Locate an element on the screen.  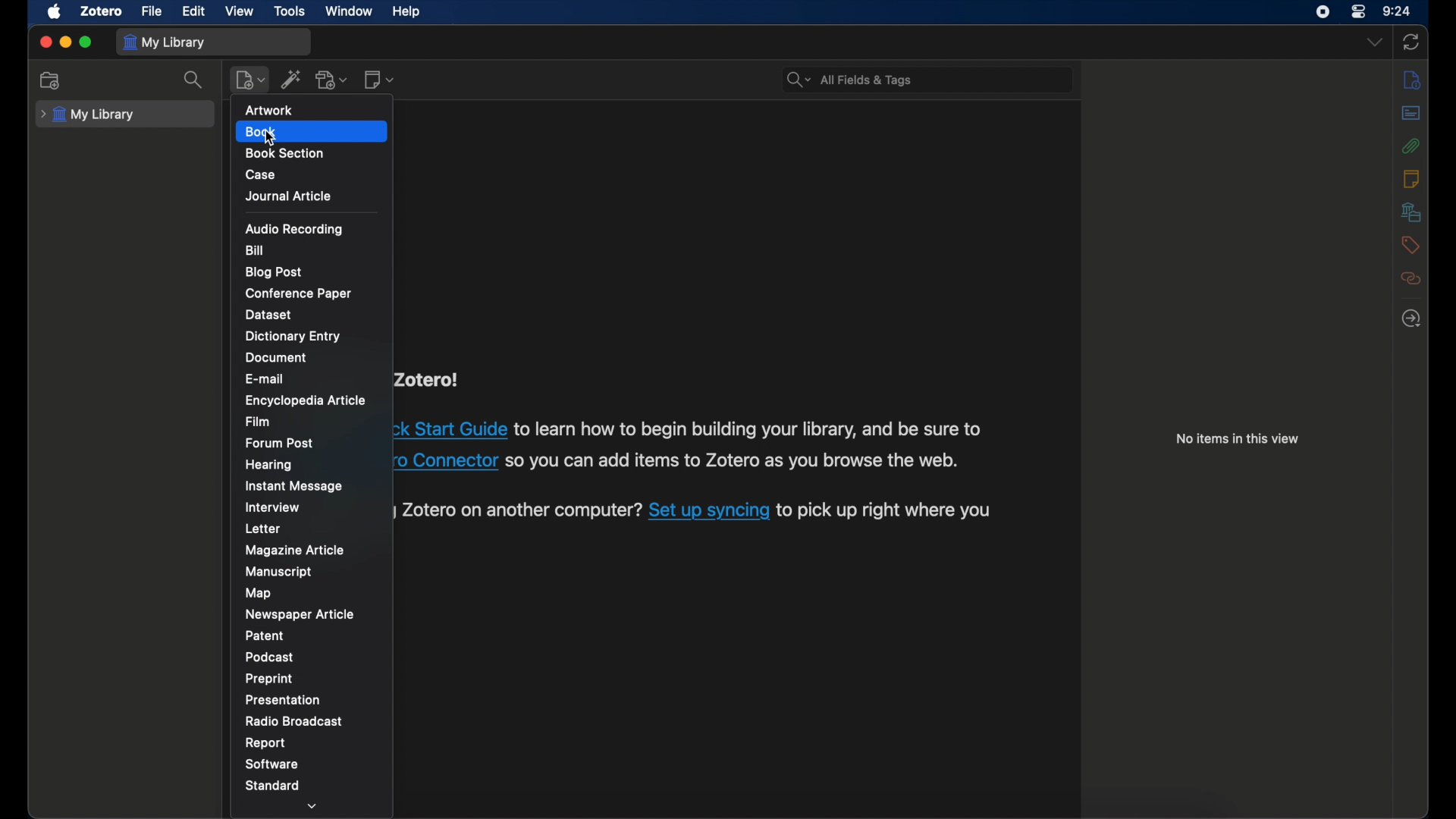
add attachment is located at coordinates (333, 80).